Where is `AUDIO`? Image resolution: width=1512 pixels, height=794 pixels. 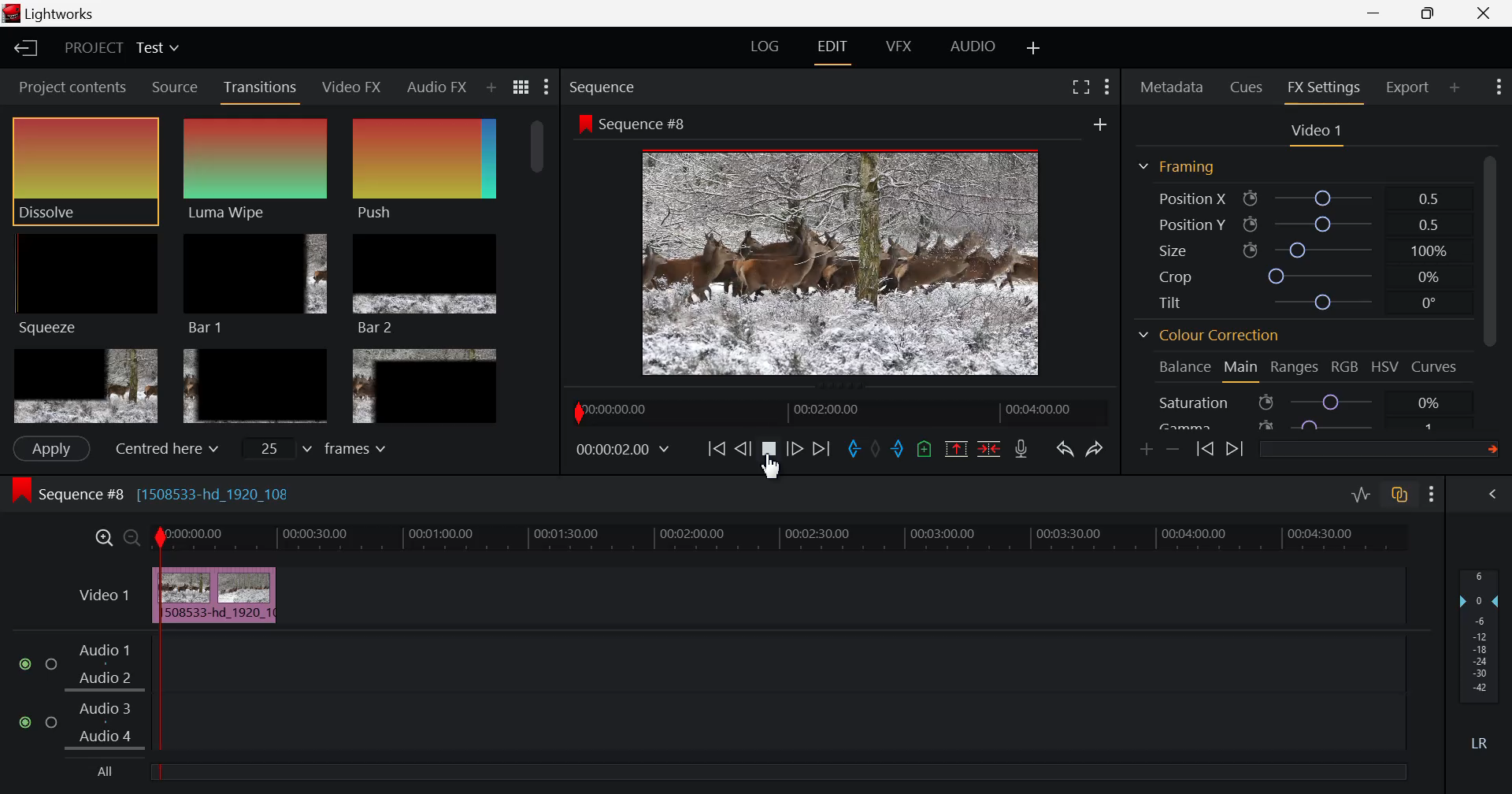
AUDIO is located at coordinates (974, 46).